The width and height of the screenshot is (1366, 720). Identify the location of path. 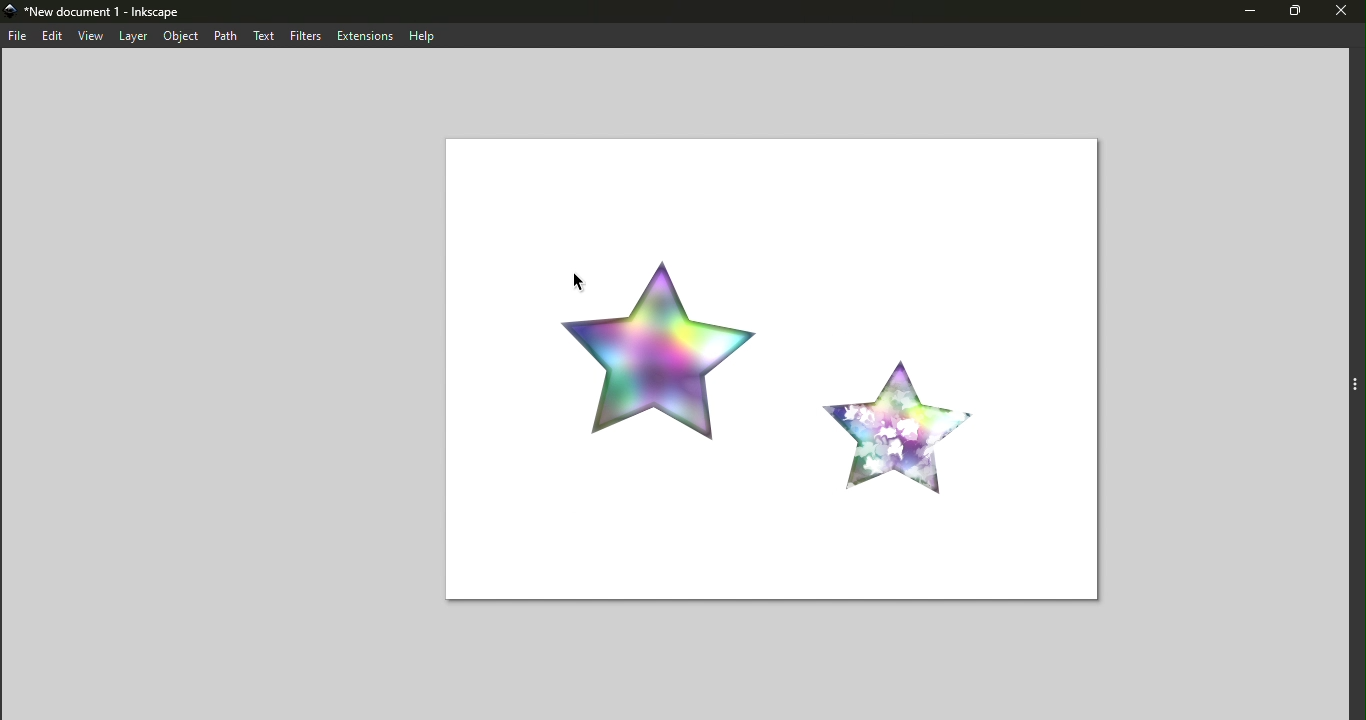
(225, 34).